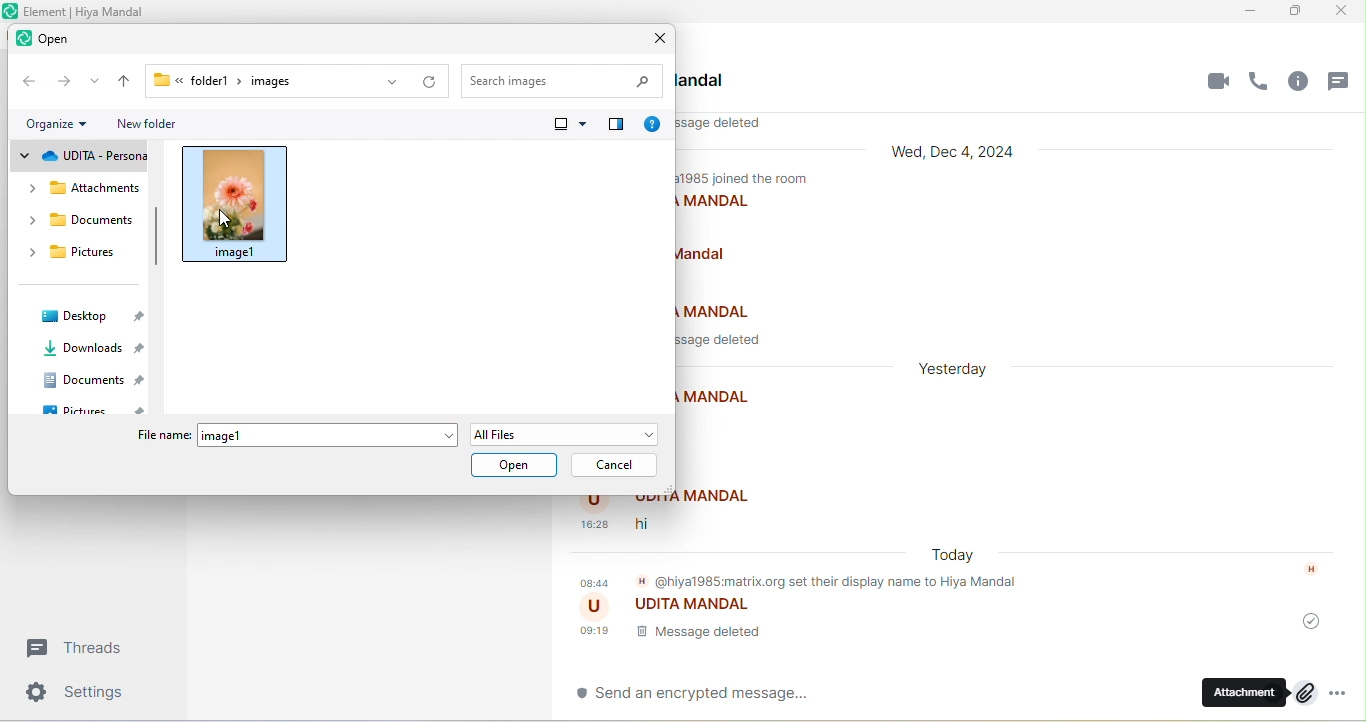 Image resolution: width=1366 pixels, height=722 pixels. Describe the element at coordinates (28, 80) in the screenshot. I see `back` at that location.